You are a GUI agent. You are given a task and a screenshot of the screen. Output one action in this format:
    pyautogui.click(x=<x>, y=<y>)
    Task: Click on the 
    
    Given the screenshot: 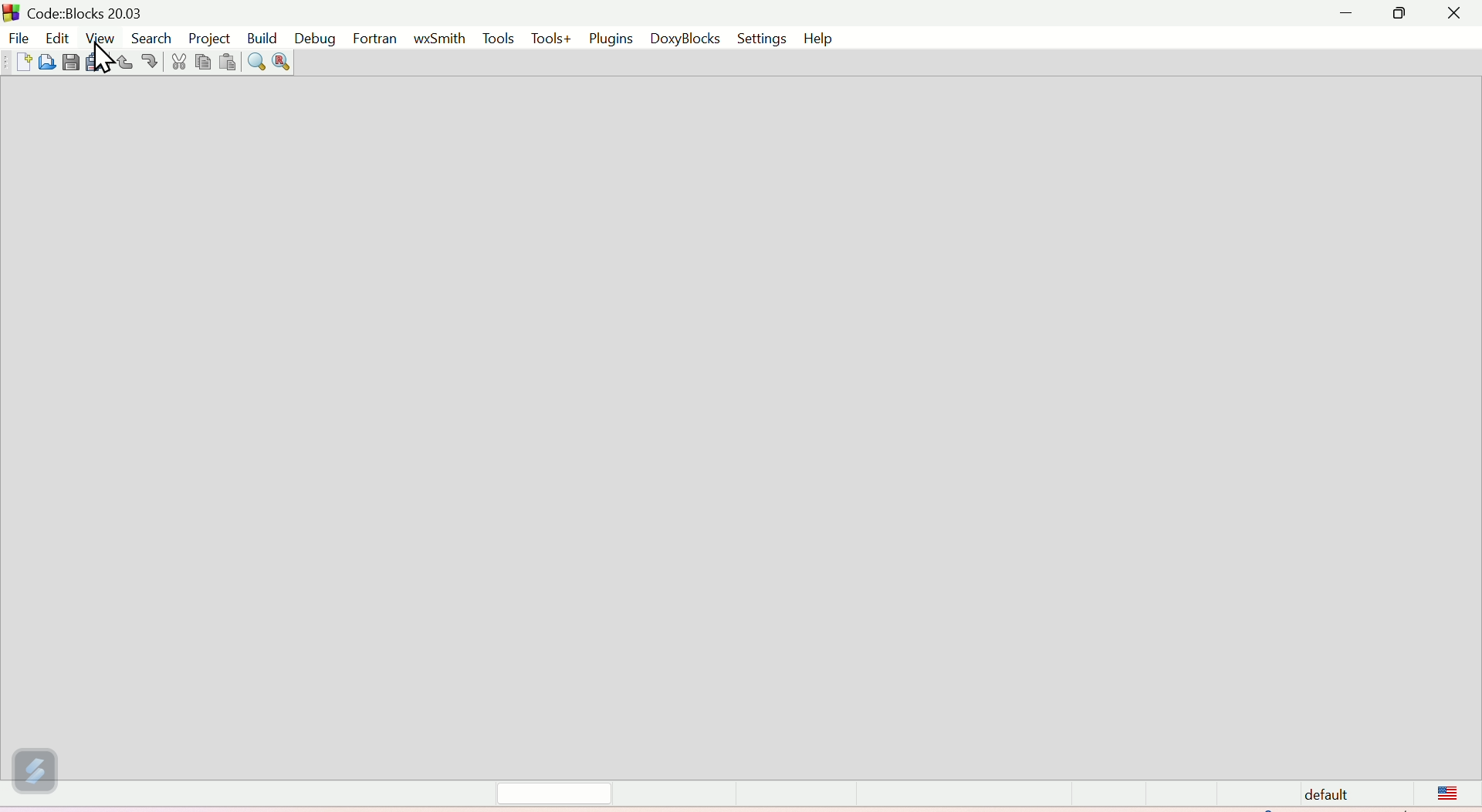 What is the action you would take?
    pyautogui.click(x=47, y=66)
    